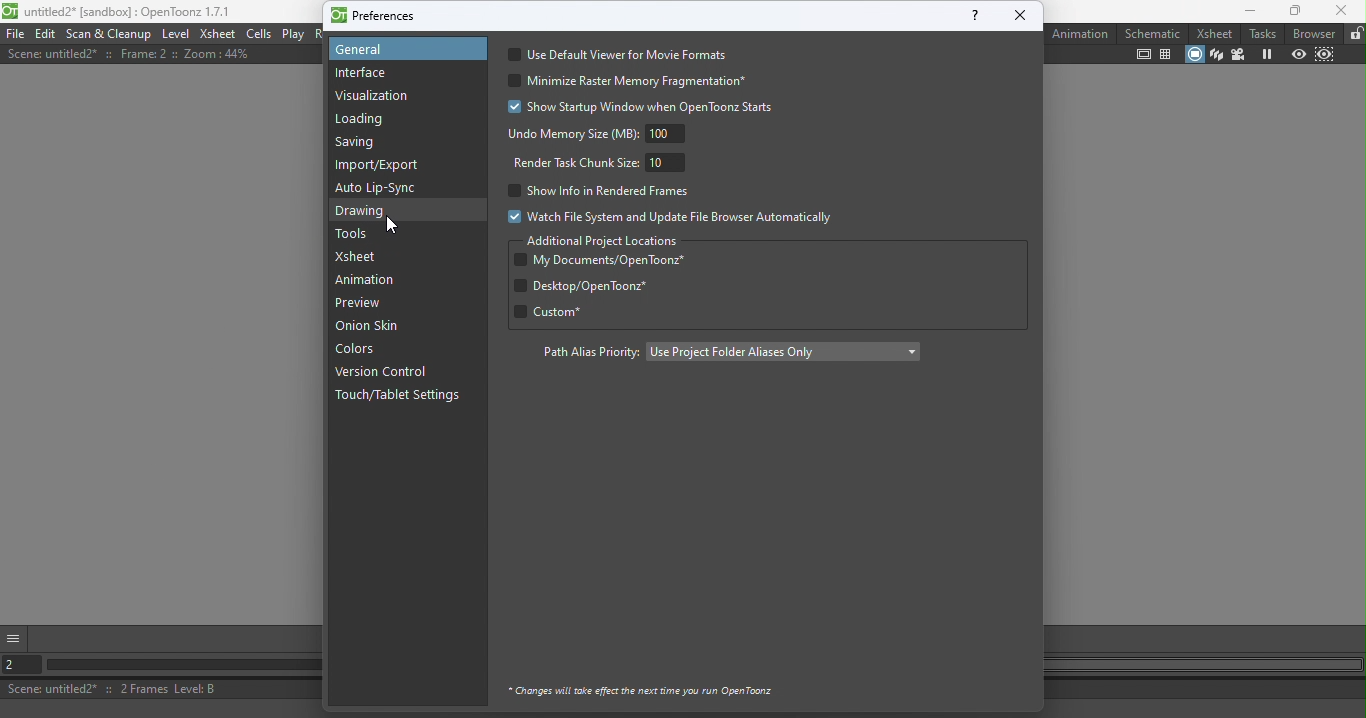  Describe the element at coordinates (379, 188) in the screenshot. I see `Auto lip-sync` at that location.